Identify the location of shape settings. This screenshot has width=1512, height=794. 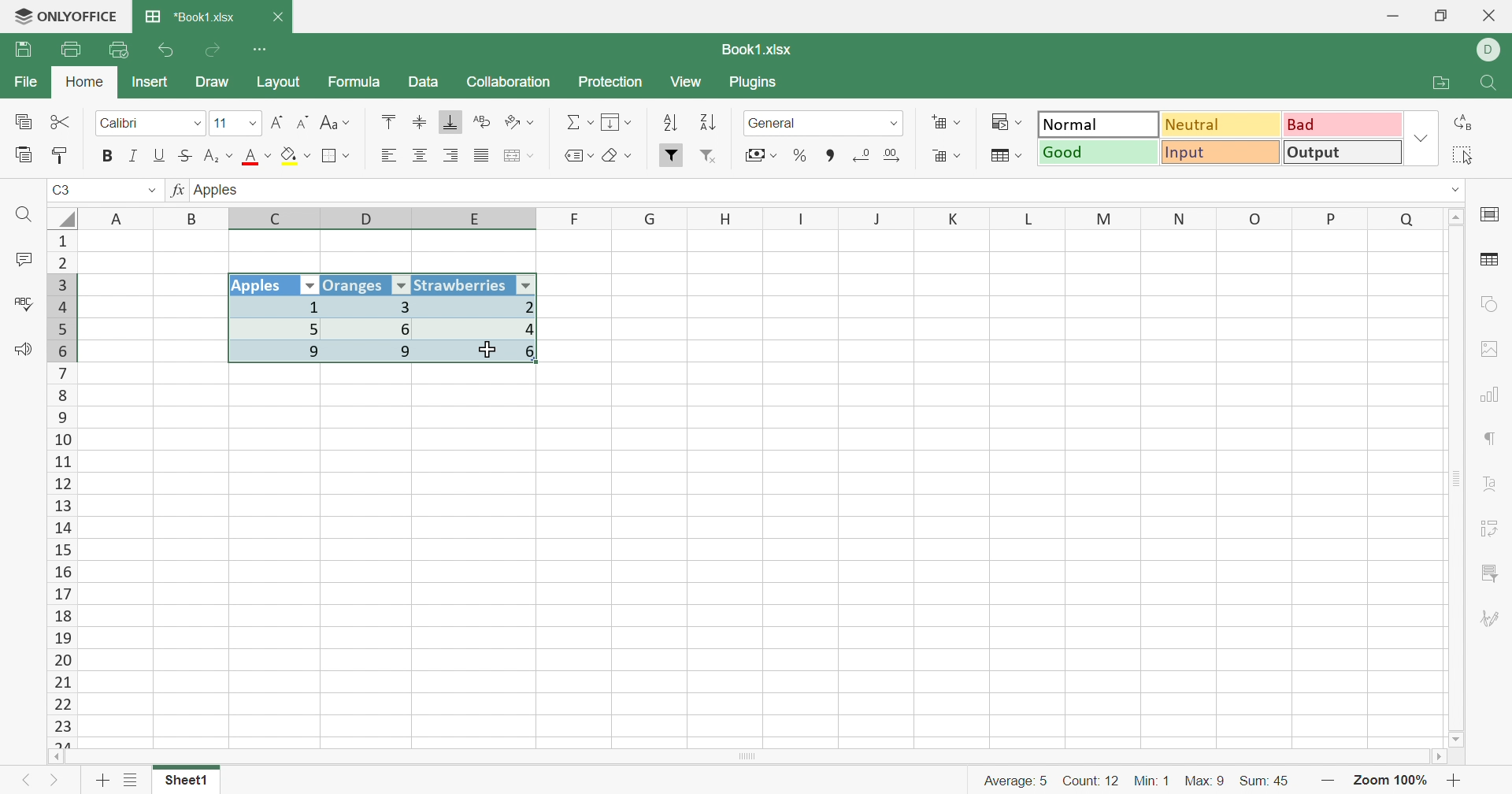
(1488, 304).